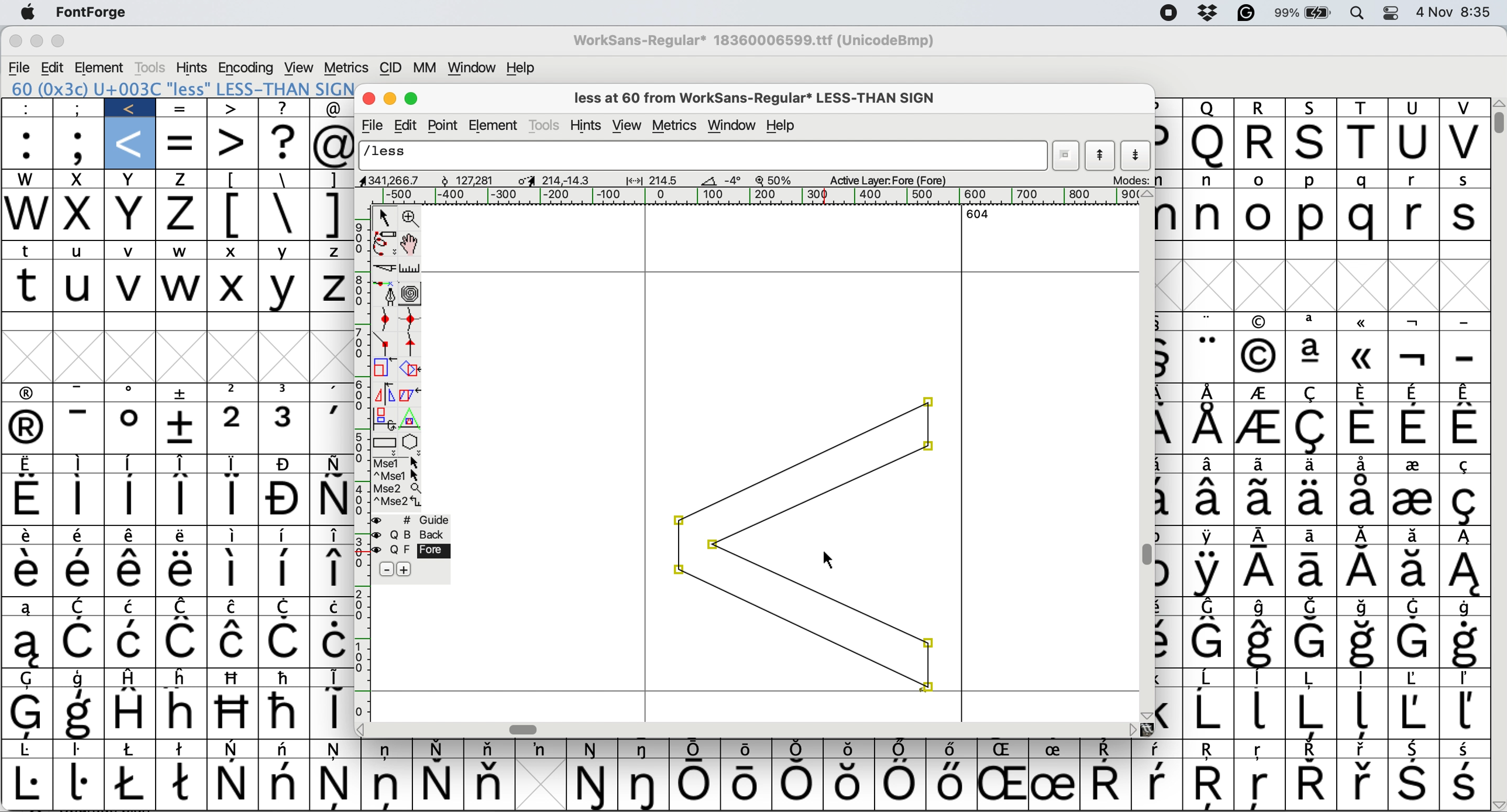 This screenshot has width=1507, height=812. I want to click on maximize, so click(414, 99).